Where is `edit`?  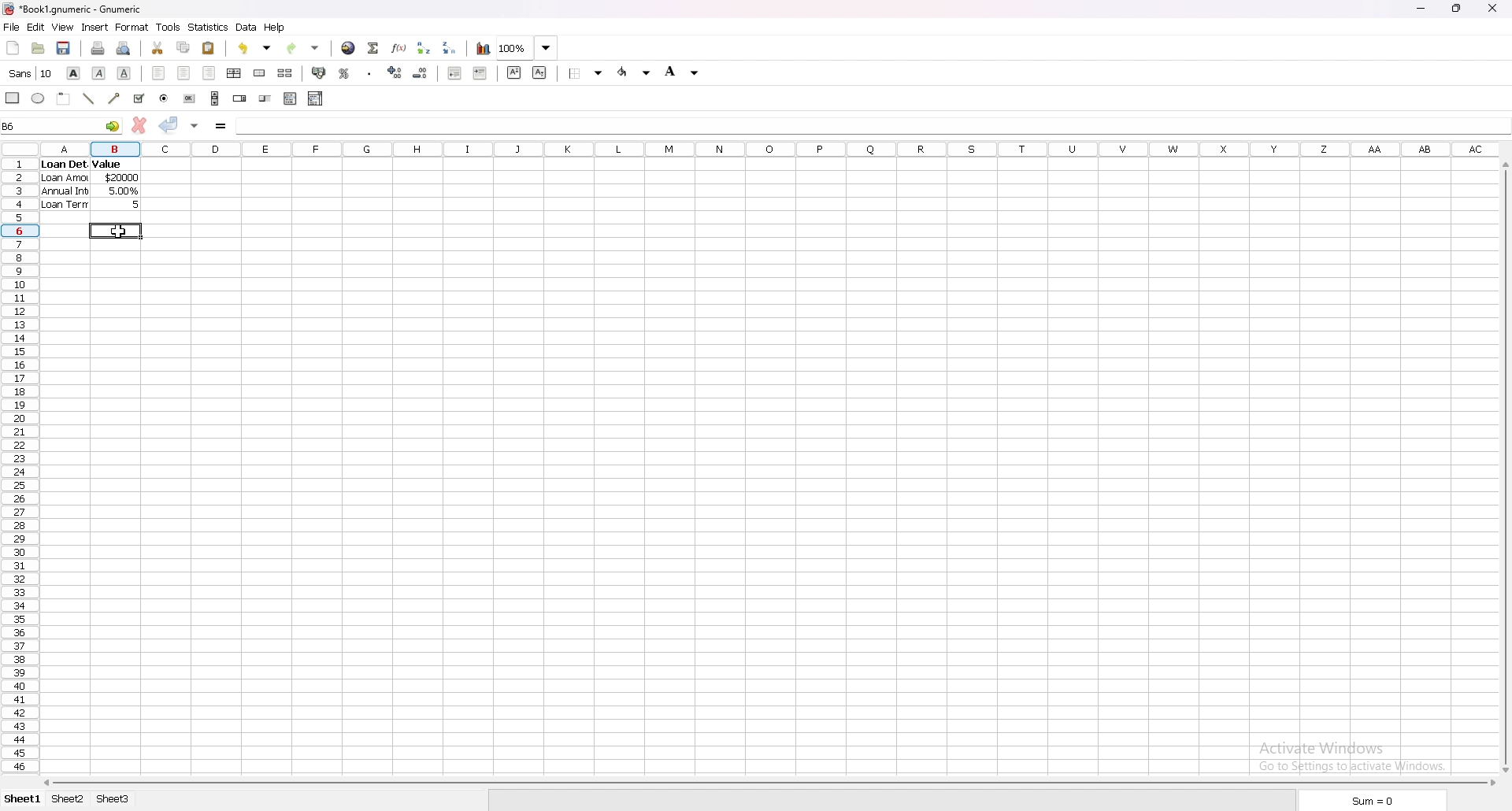 edit is located at coordinates (35, 27).